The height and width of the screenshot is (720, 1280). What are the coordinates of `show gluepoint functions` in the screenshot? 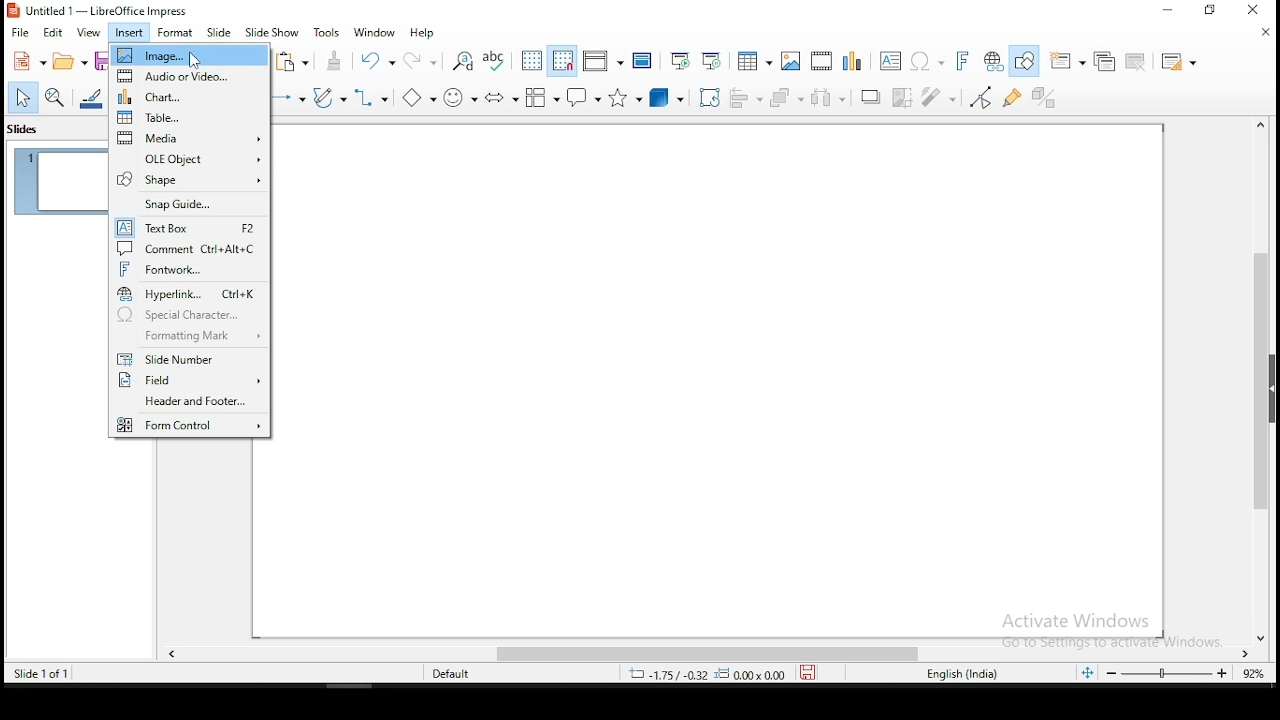 It's located at (1015, 96).